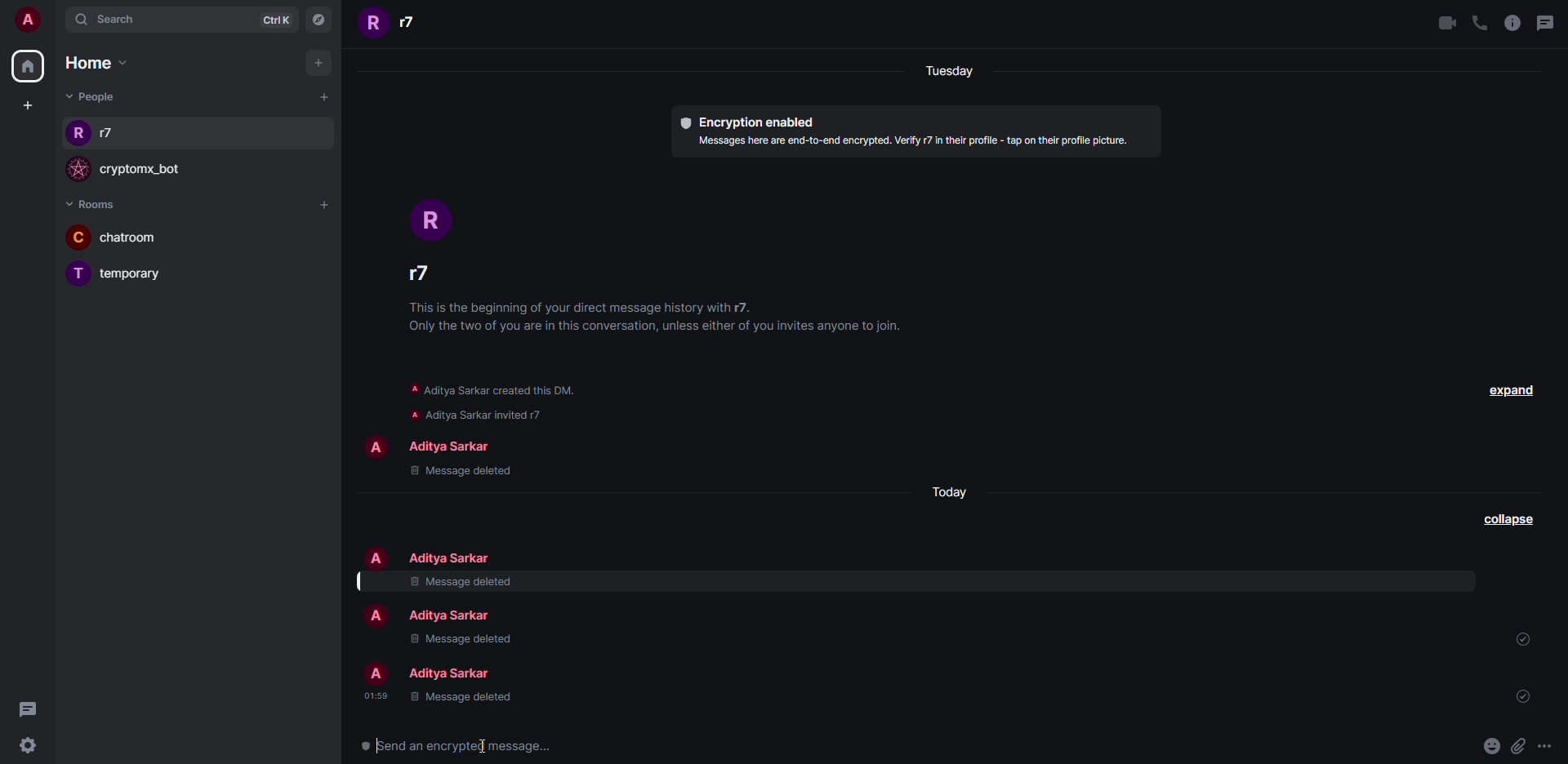  I want to click on profile, so click(79, 274).